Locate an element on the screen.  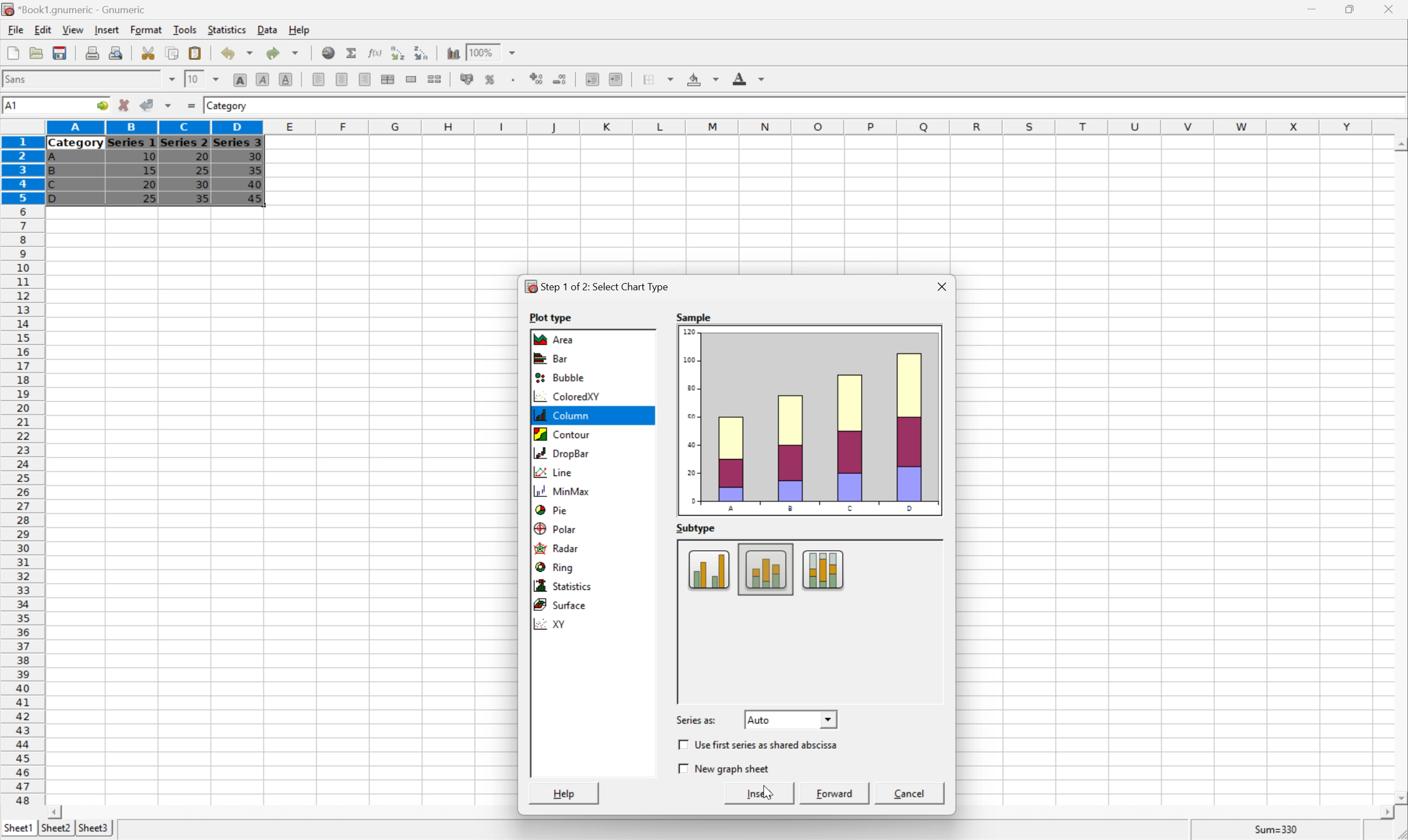
Plot type is located at coordinates (553, 316).